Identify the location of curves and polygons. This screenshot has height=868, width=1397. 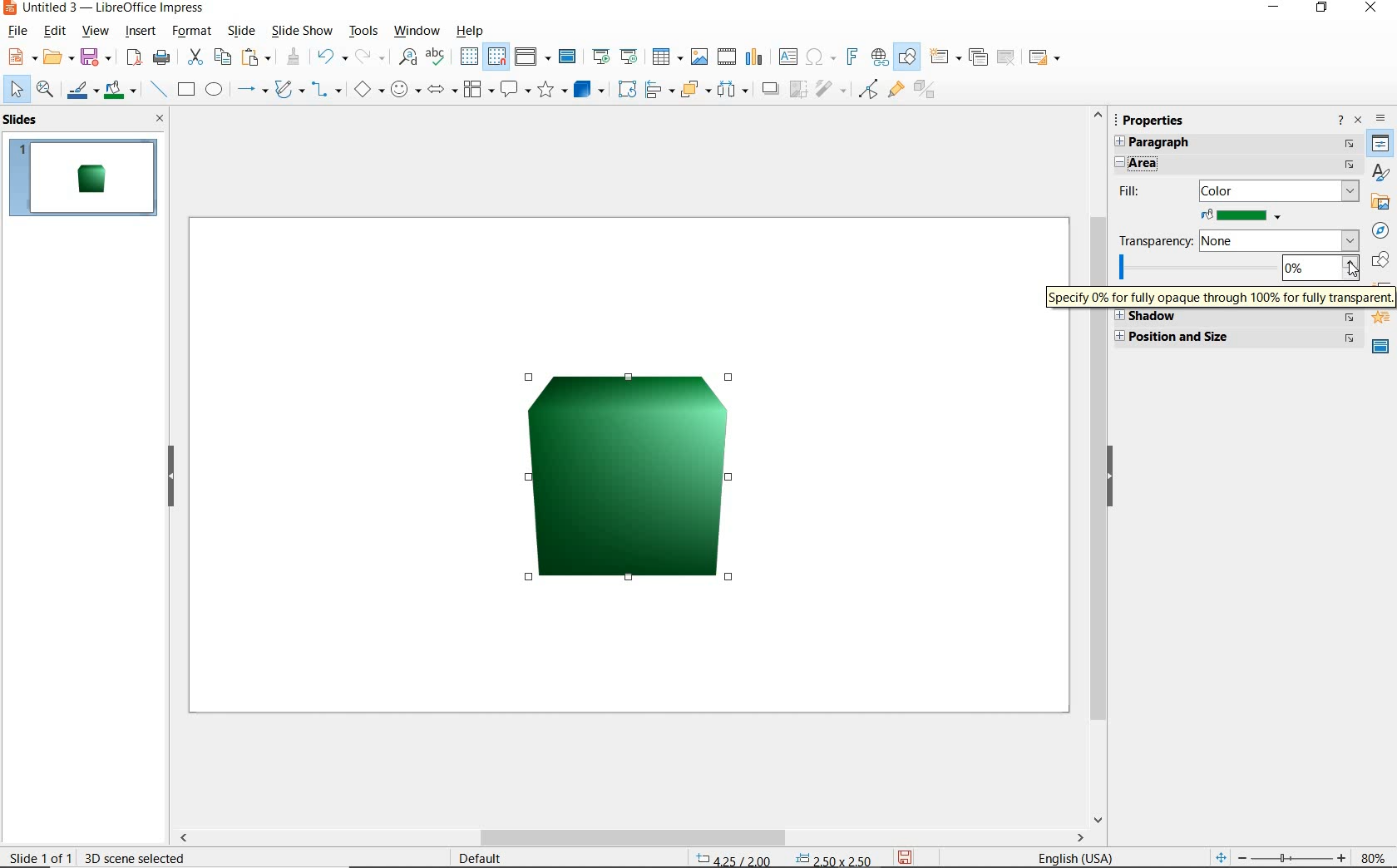
(290, 91).